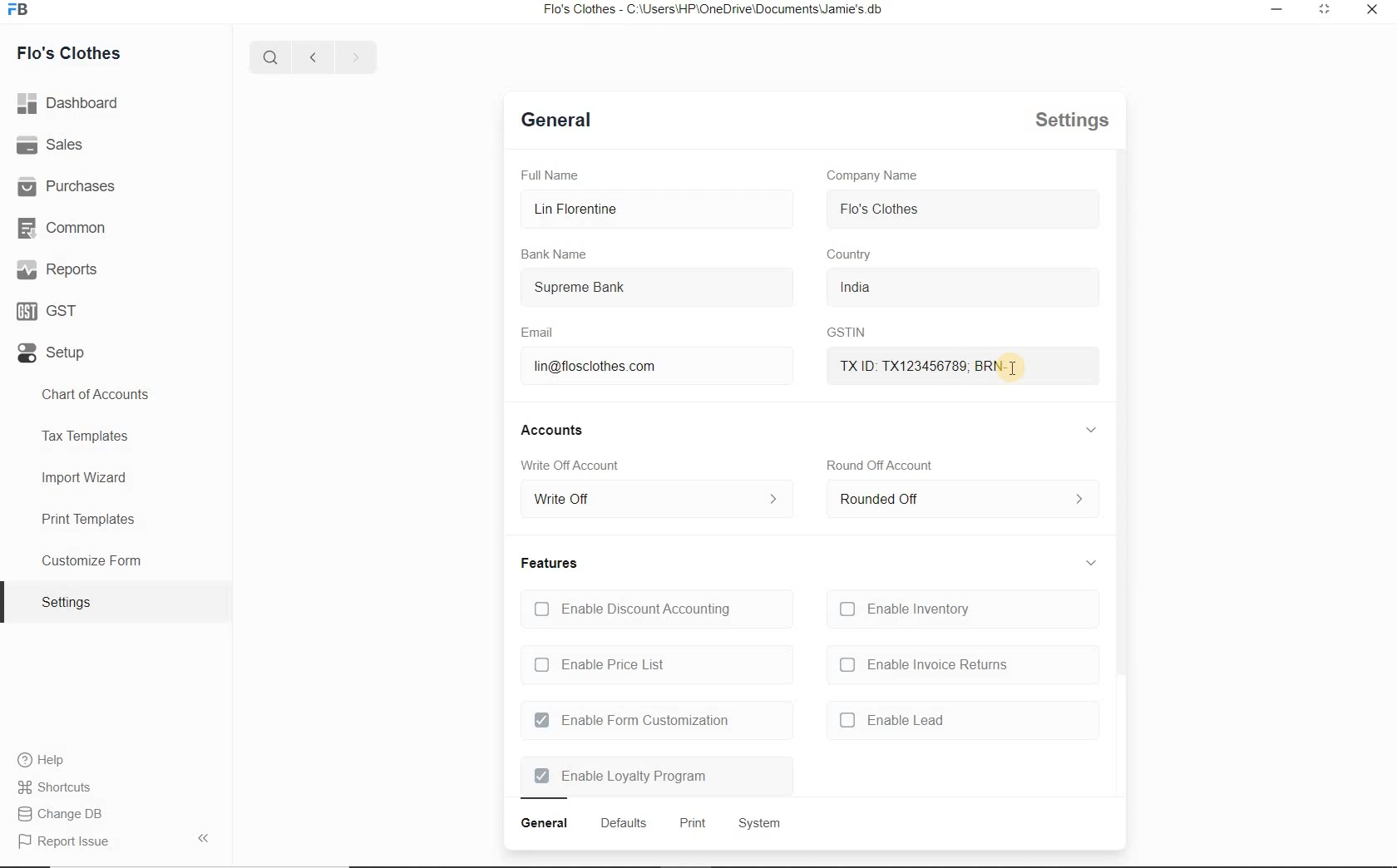  Describe the element at coordinates (23, 14) in the screenshot. I see `icon` at that location.